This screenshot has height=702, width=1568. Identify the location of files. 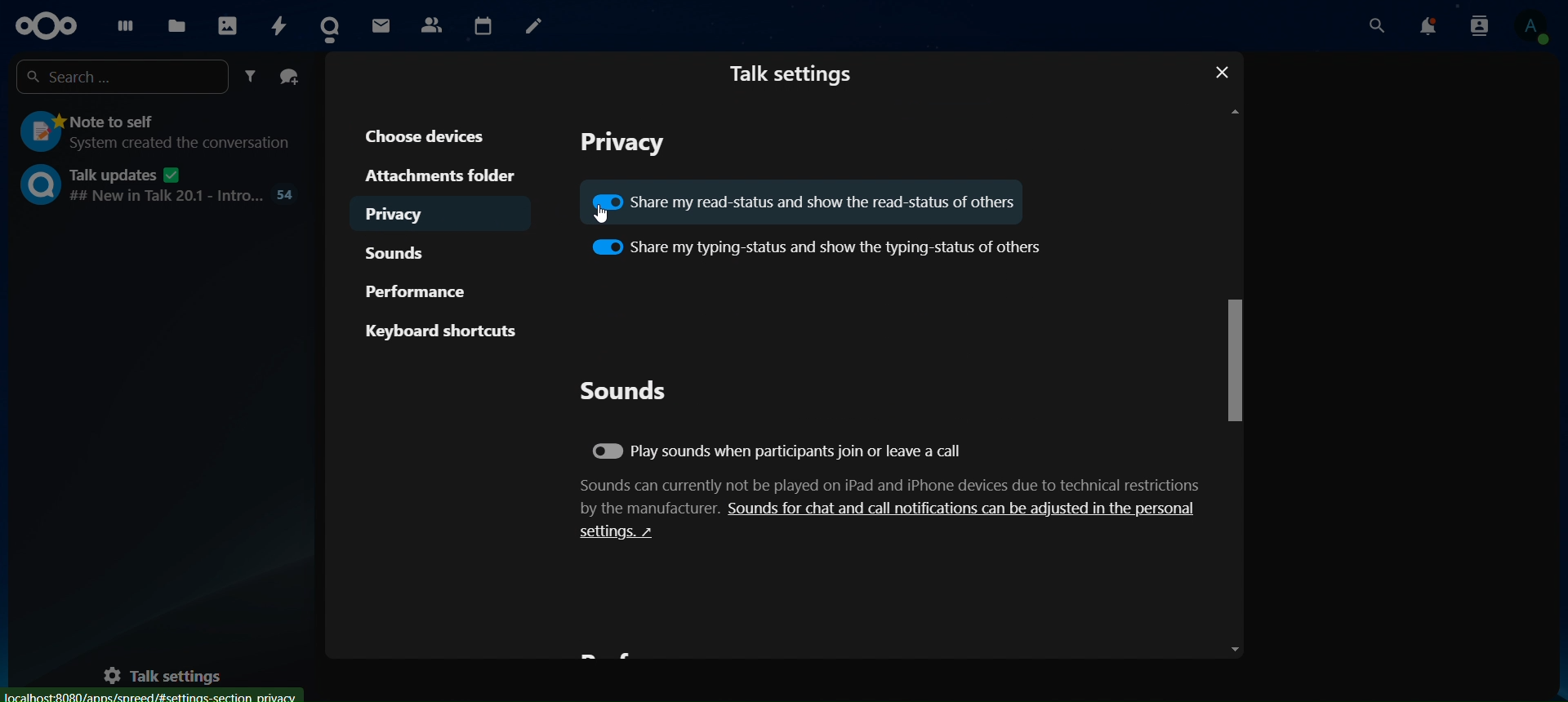
(176, 26).